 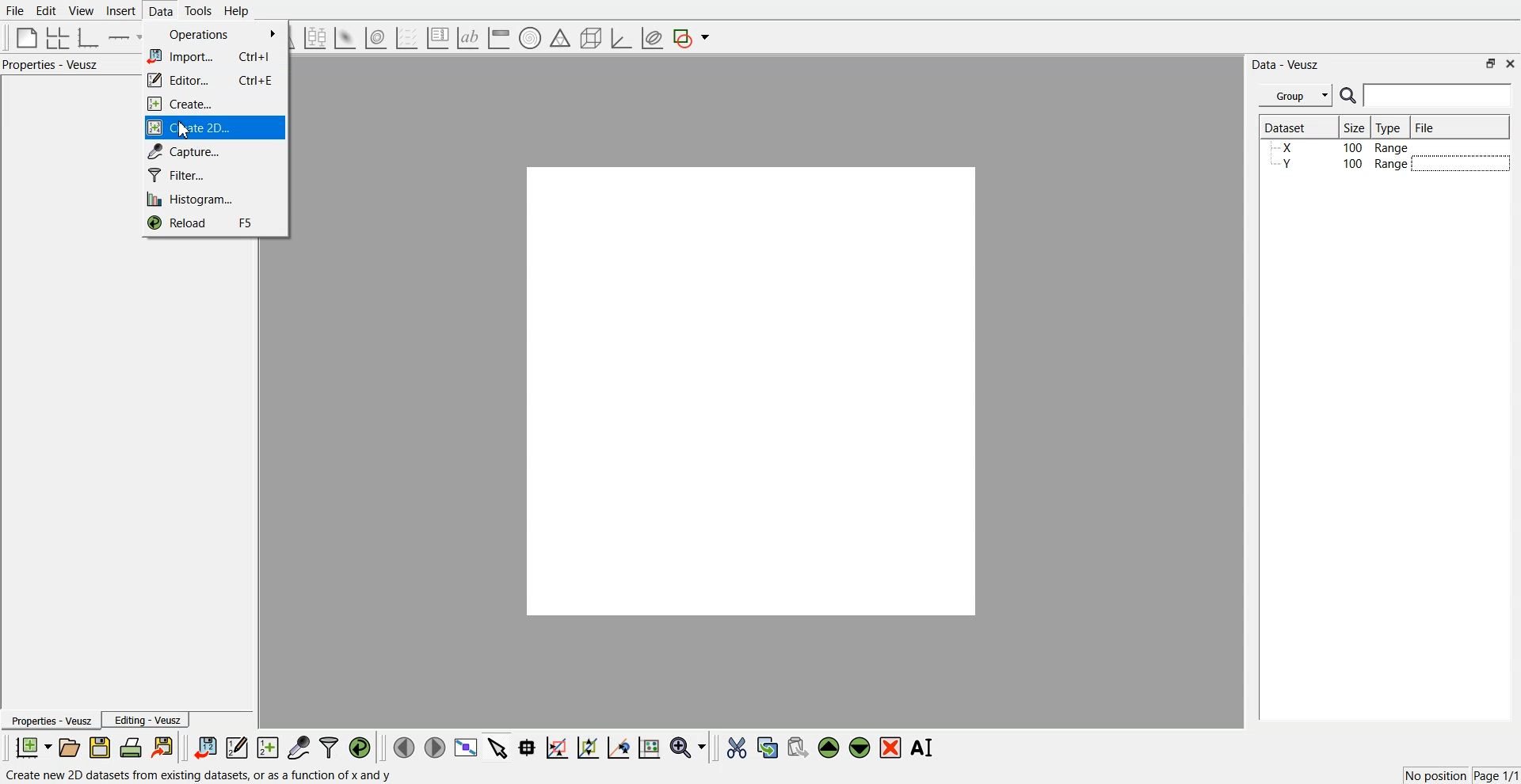 What do you see at coordinates (51, 64) in the screenshot?
I see `Properties - Veusz` at bounding box center [51, 64].